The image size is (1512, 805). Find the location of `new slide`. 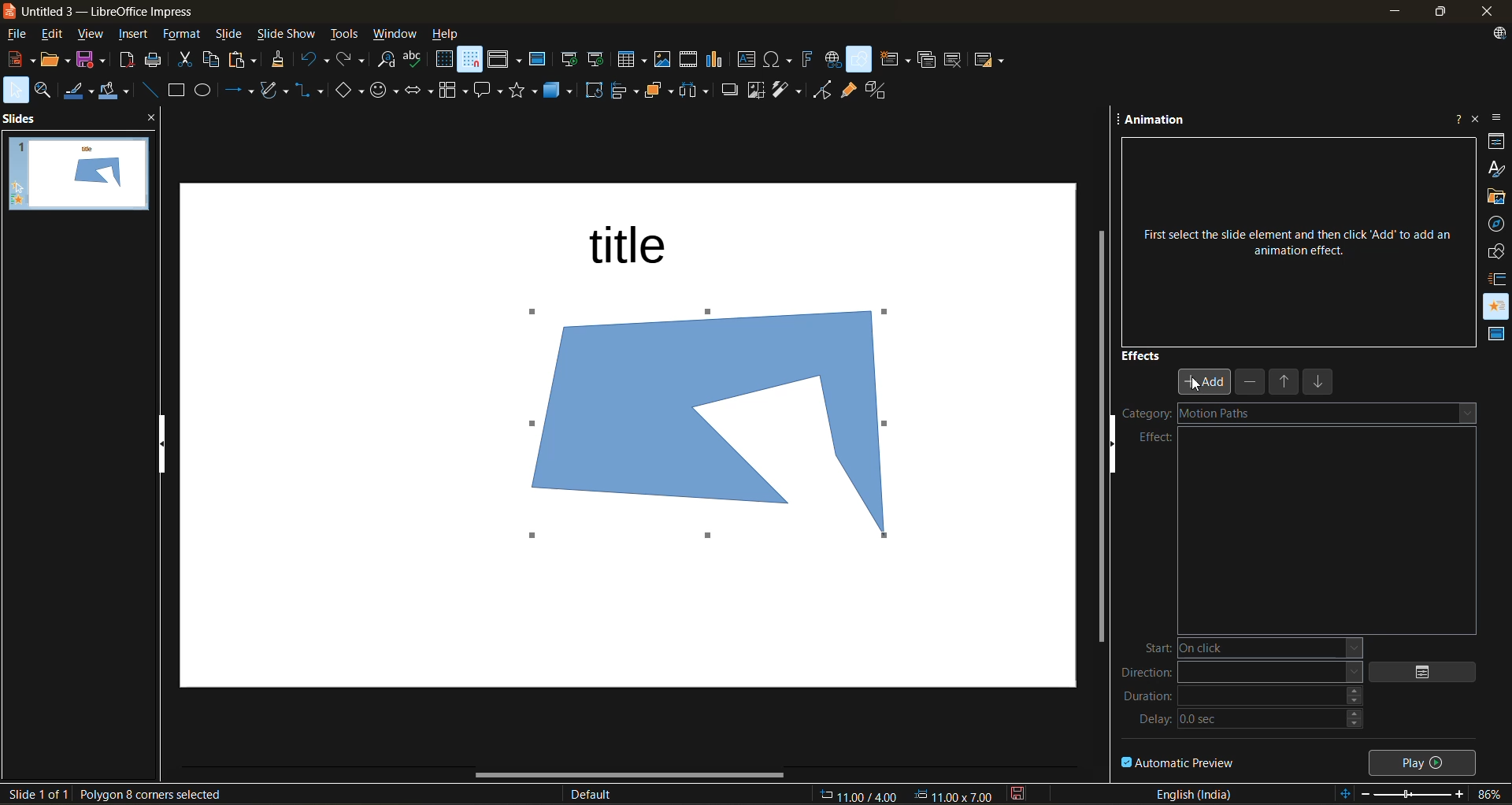

new slide is located at coordinates (893, 59).